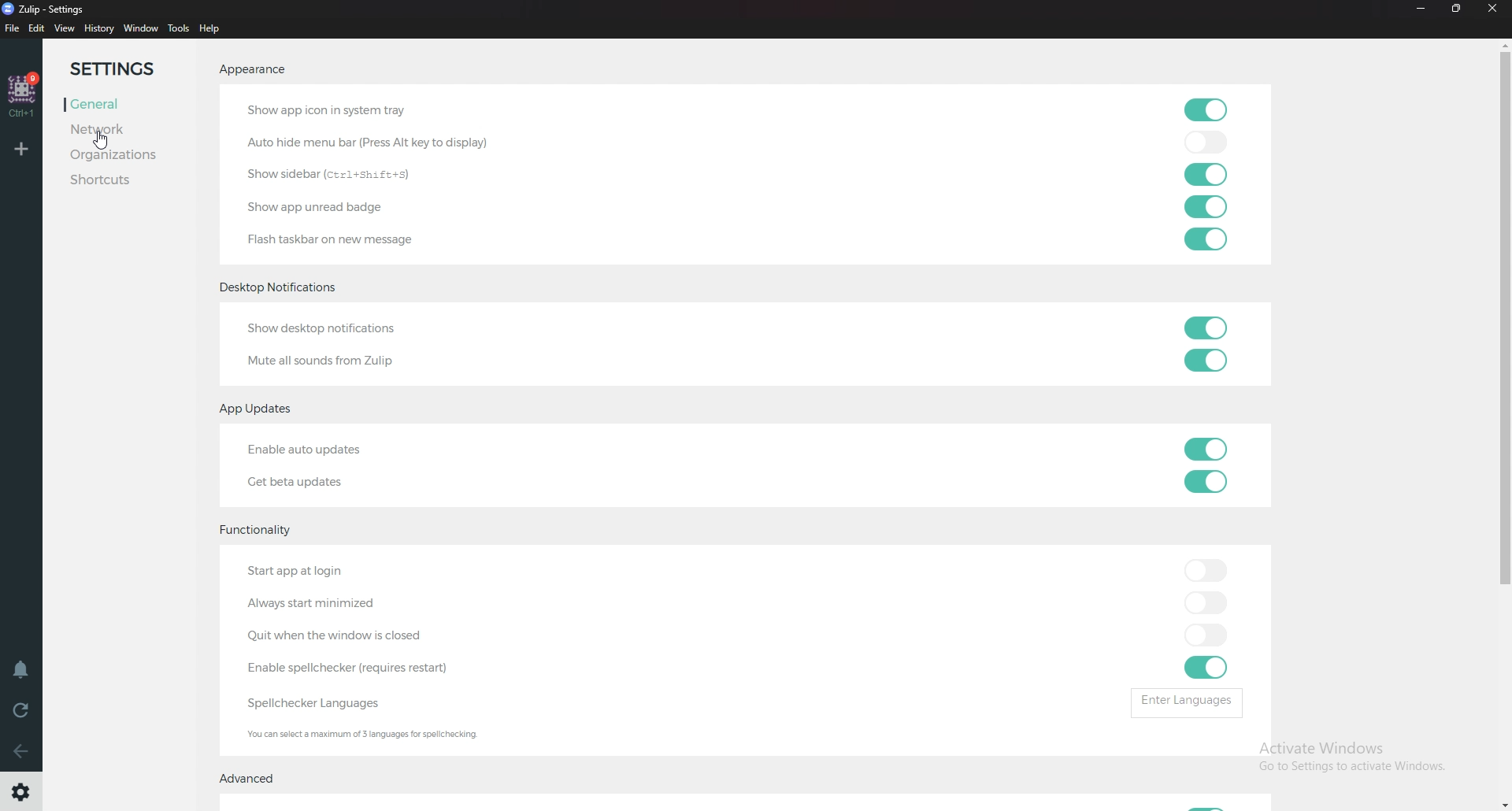 This screenshot has width=1512, height=811. What do you see at coordinates (1495, 13) in the screenshot?
I see `Close` at bounding box center [1495, 13].